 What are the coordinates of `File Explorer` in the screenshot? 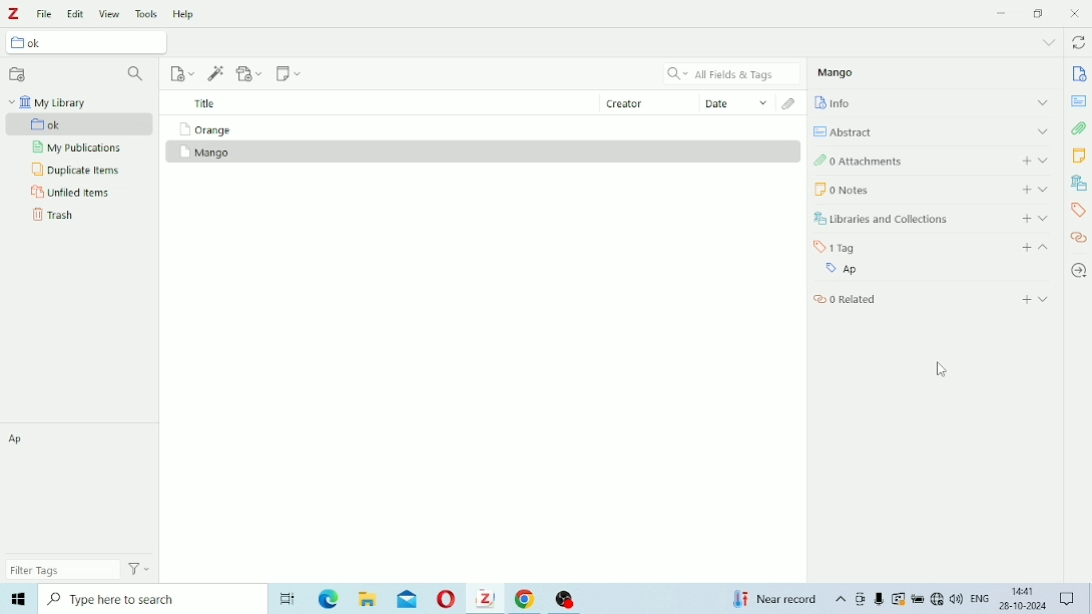 It's located at (367, 600).